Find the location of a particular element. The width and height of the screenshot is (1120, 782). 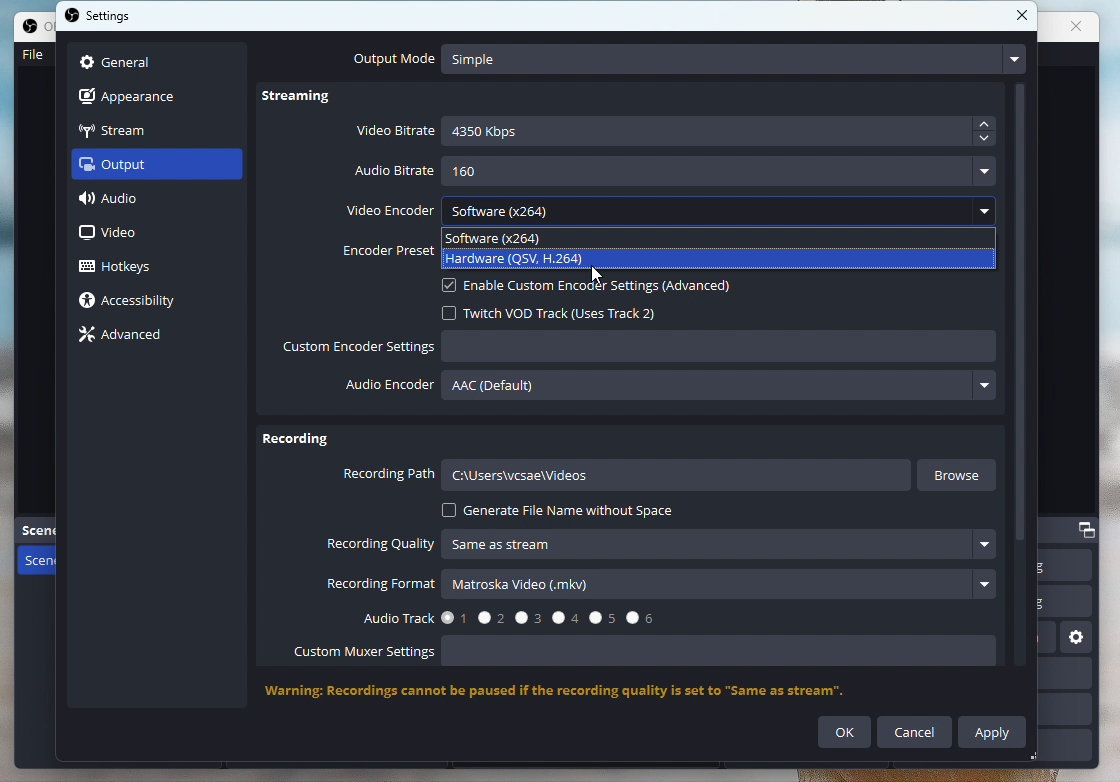

Streaming is located at coordinates (308, 100).